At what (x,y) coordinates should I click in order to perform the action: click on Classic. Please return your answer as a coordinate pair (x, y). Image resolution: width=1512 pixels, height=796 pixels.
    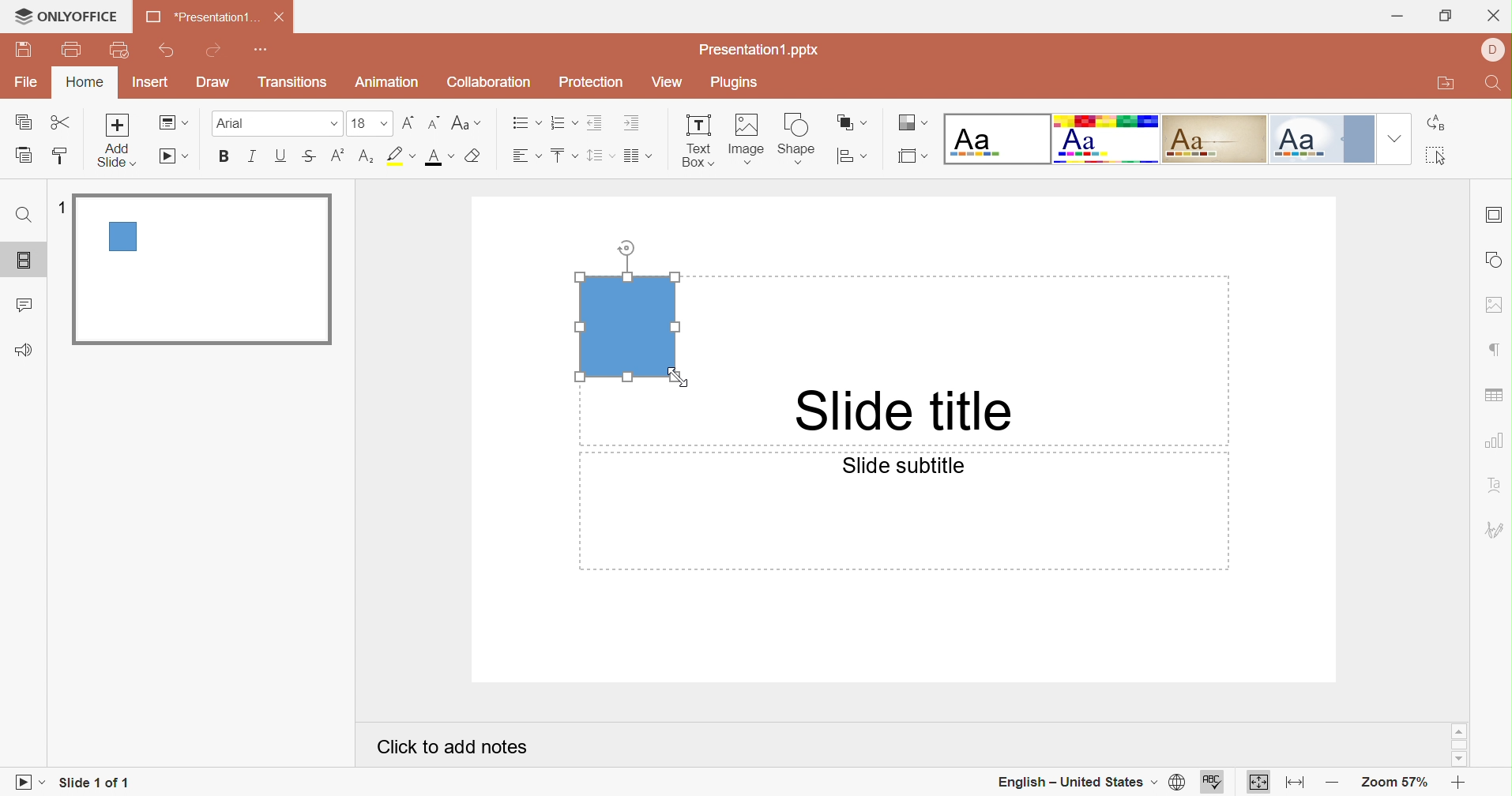
    Looking at the image, I should click on (1214, 138).